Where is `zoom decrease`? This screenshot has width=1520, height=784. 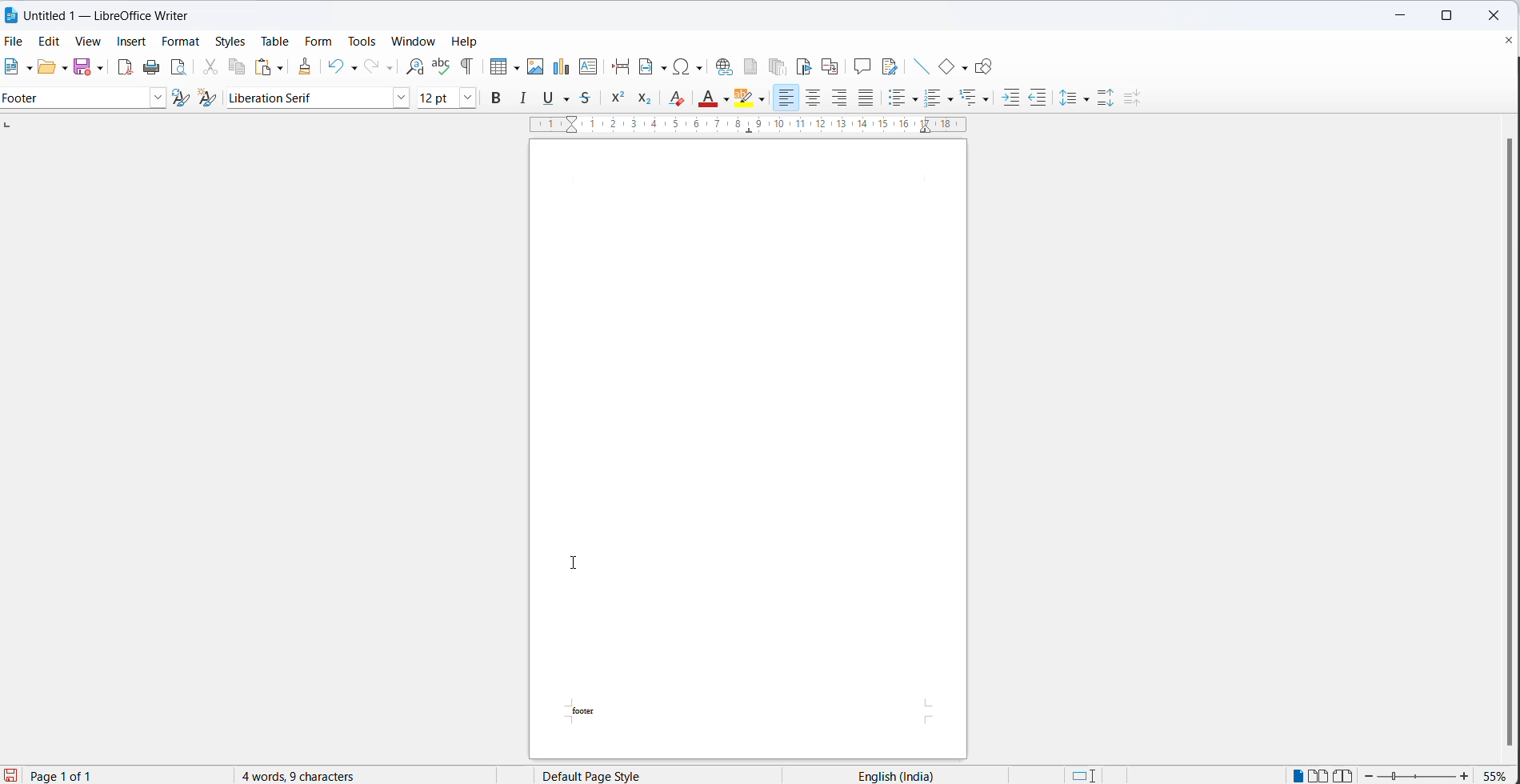
zoom decrease is located at coordinates (1369, 776).